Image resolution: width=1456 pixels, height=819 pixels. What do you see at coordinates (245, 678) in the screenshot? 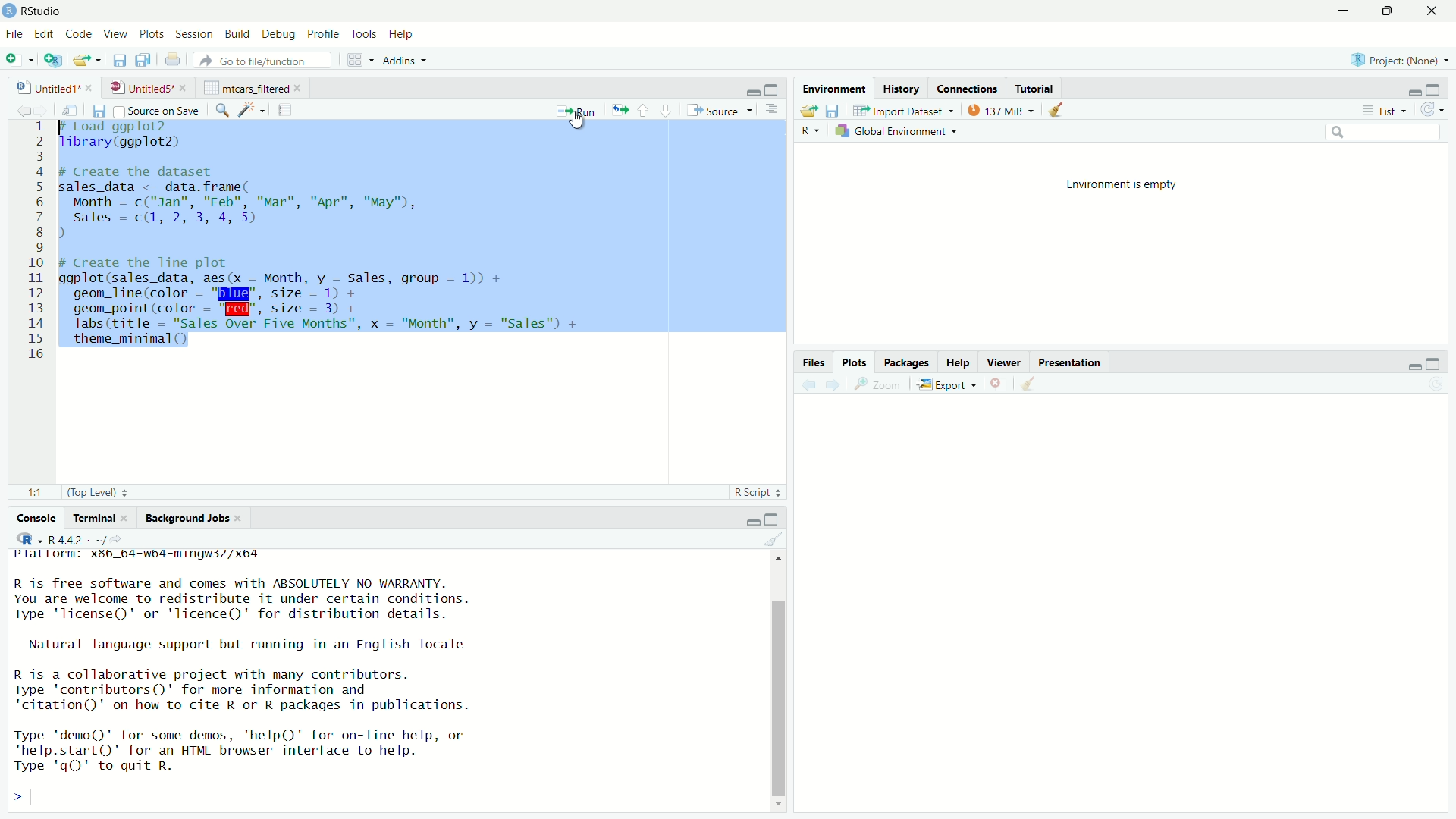
I see `R is free software and comes with ABSOLUTELY NO WARRANTY.

You are welcome to redistribute it under certain conditions.

Type 'license()' or 'licence()' for distribution details.
Natural language support but running in an English locale

R is a collaborative project with many contributors.

Type 'contributors()' for more information and

‘citation()' on how to cite R or R packages in publications.

Type 'demo()' for some demos, 'help()' for on-line help, or

'help.start()' for an HTML browser interface to help.

Type 'gQ' to quit R.` at bounding box center [245, 678].